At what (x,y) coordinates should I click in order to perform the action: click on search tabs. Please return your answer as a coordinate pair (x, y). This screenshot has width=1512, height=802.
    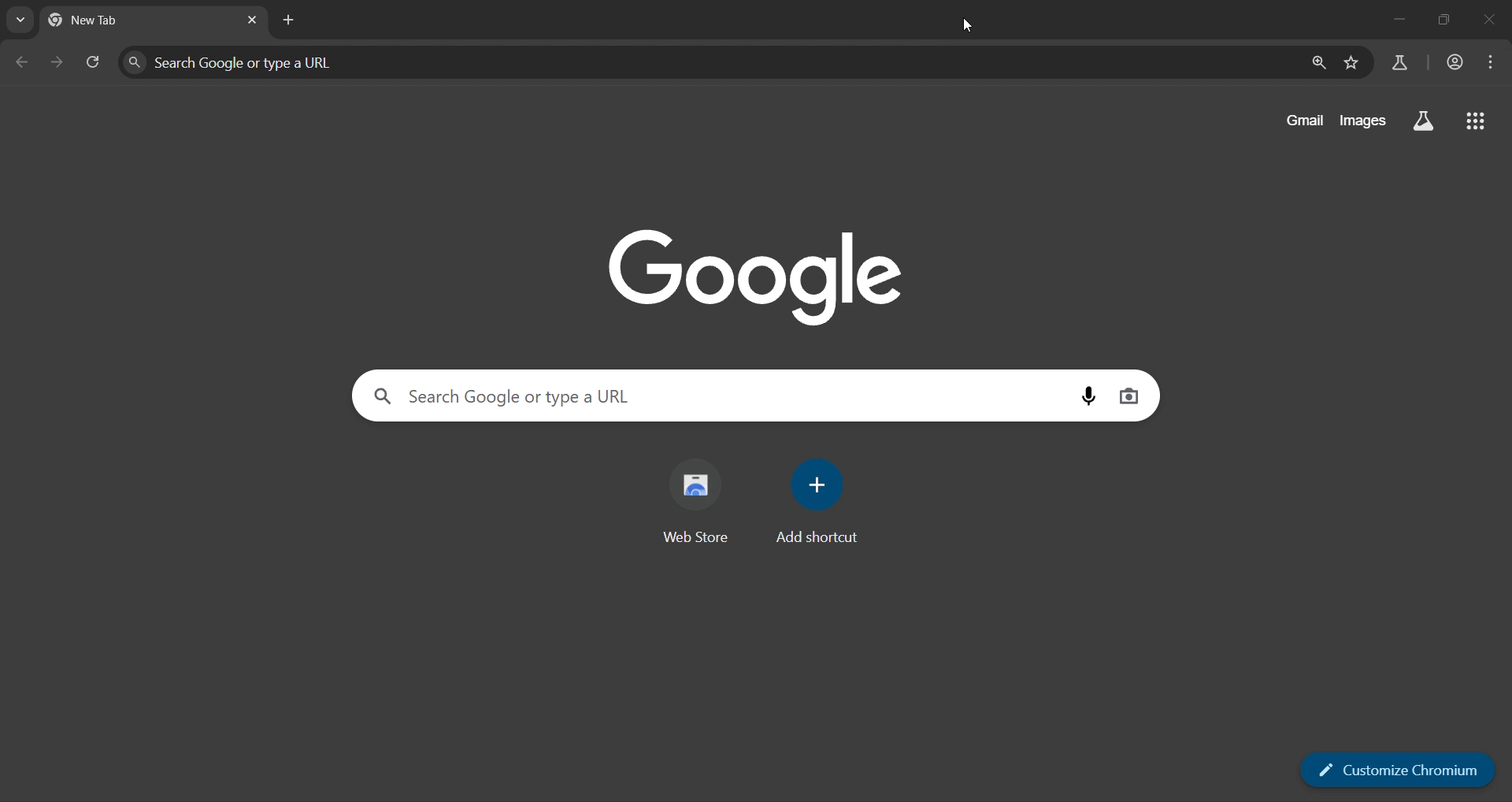
    Looking at the image, I should click on (20, 20).